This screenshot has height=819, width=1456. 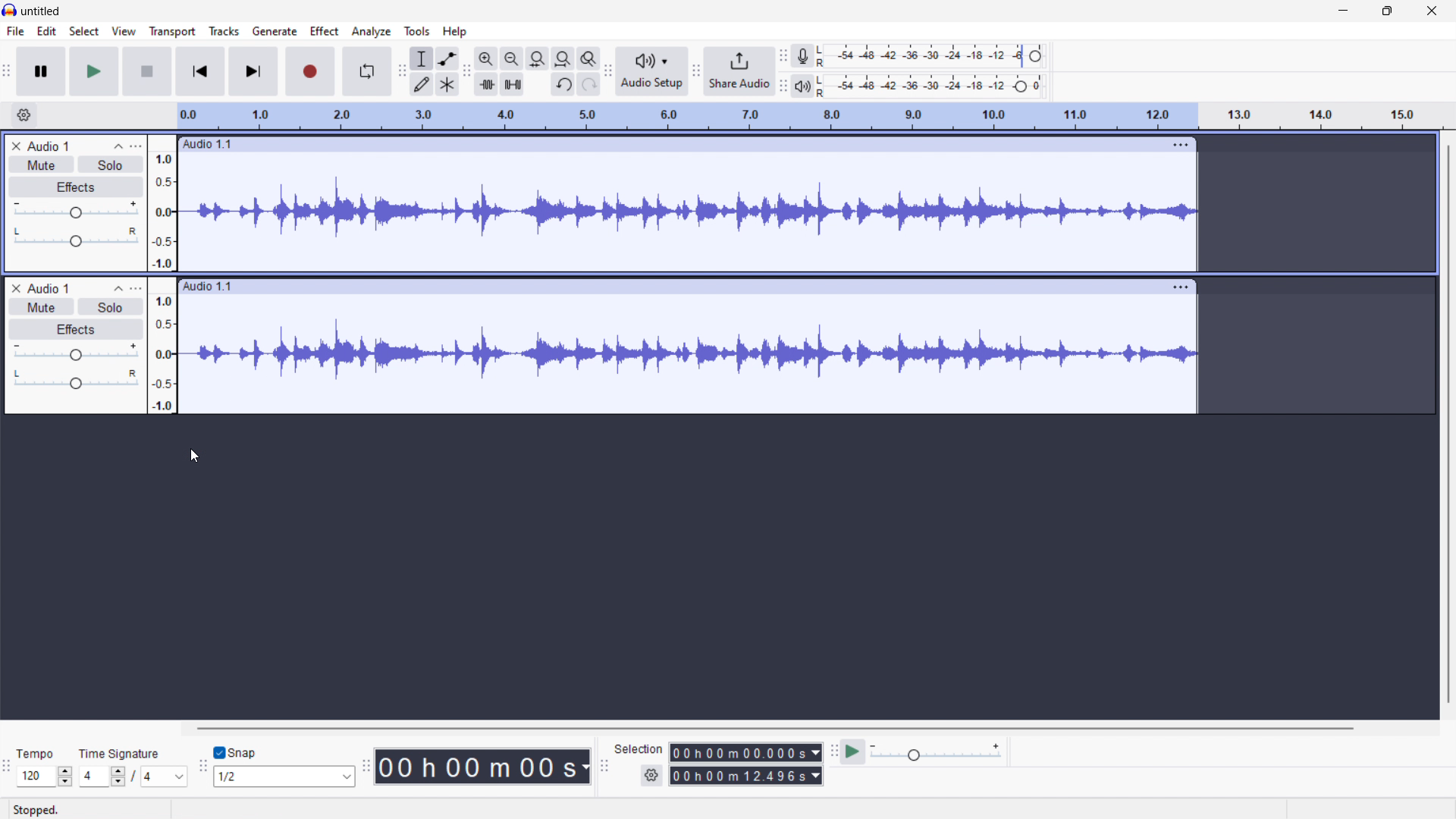 I want to click on mono tracks created, so click(x=689, y=214).